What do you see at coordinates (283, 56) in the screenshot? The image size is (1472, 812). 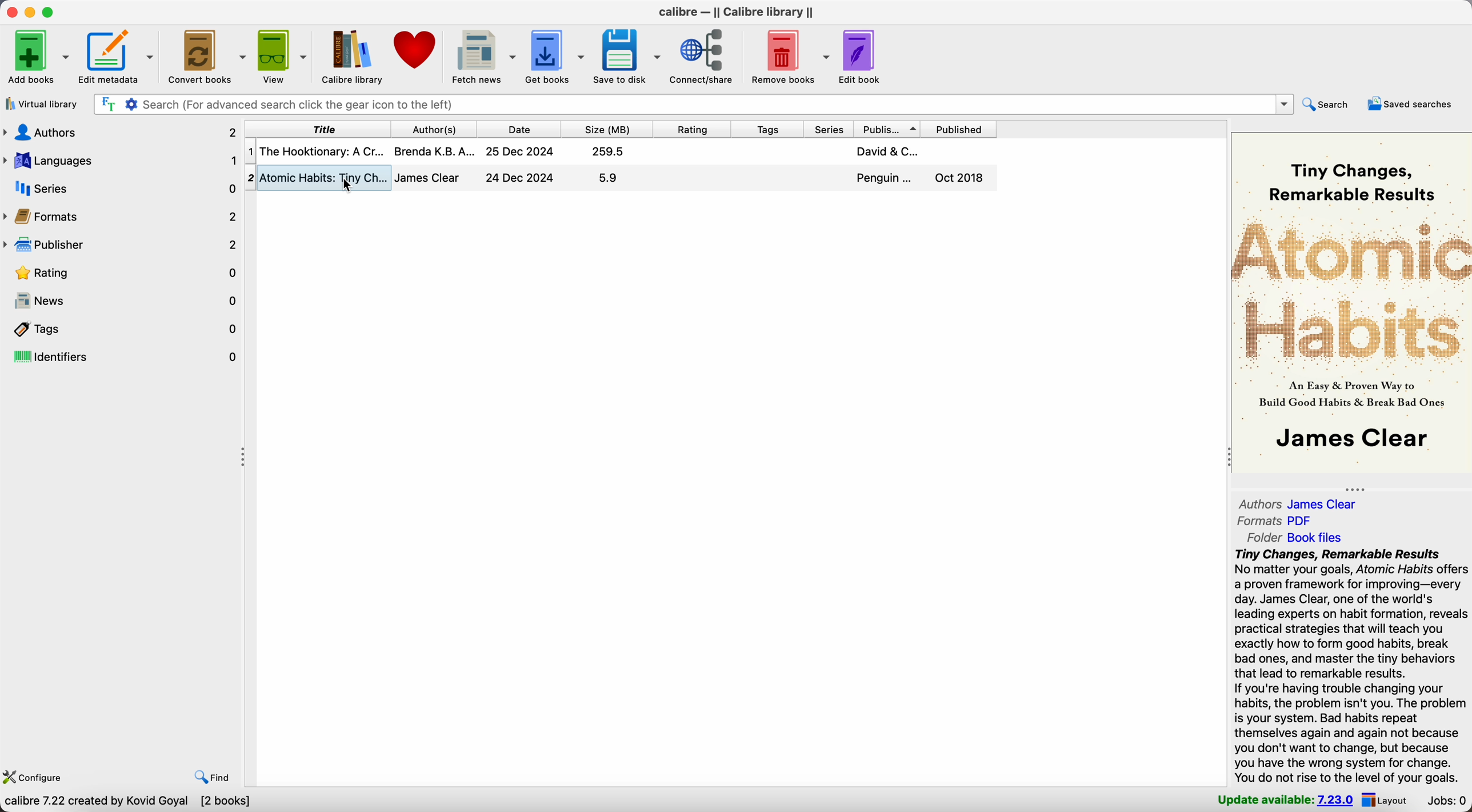 I see `view` at bounding box center [283, 56].